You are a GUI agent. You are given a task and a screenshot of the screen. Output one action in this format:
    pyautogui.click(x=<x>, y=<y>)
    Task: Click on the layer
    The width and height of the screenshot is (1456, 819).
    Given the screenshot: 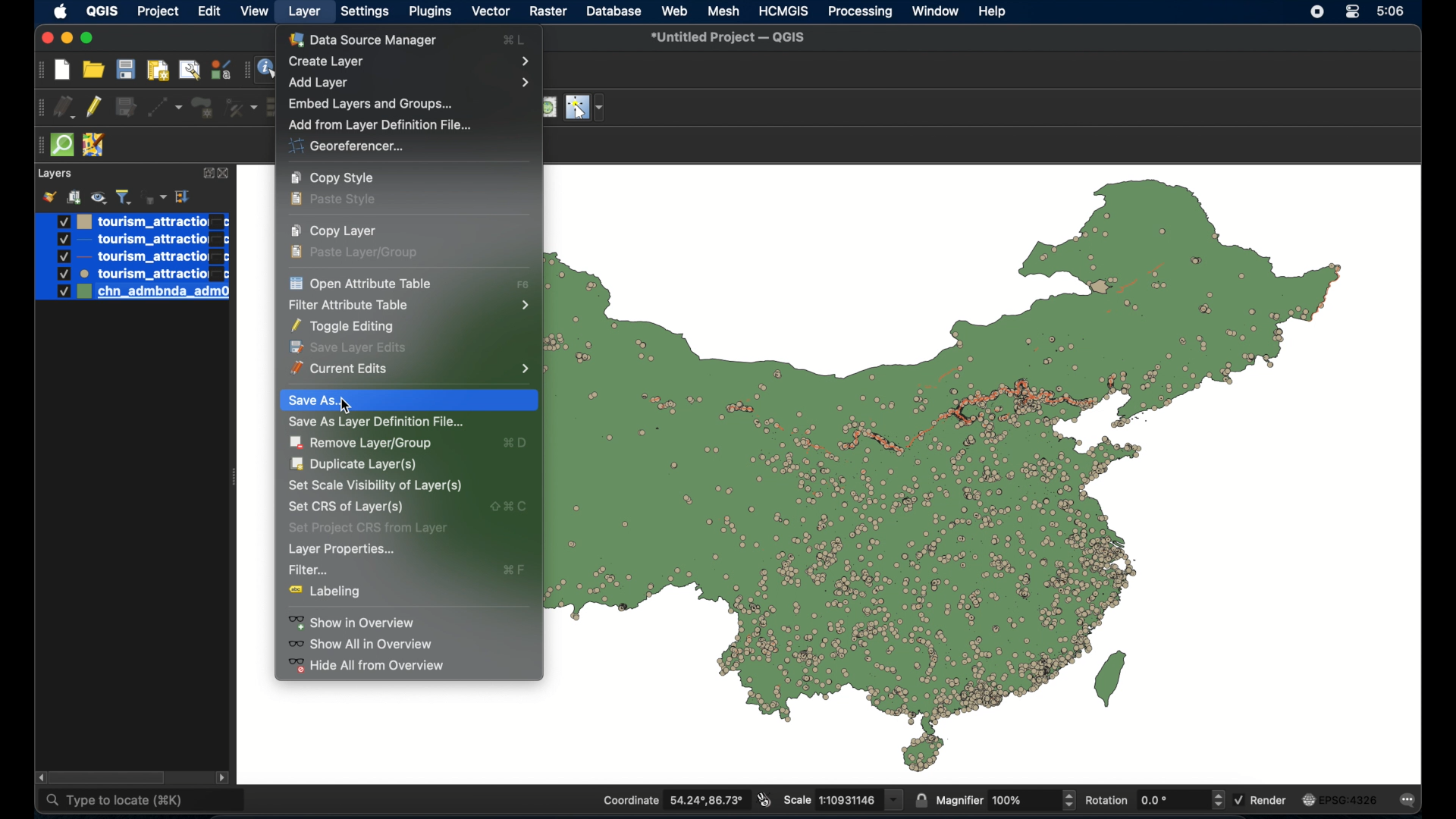 What is the action you would take?
    pyautogui.click(x=54, y=174)
    